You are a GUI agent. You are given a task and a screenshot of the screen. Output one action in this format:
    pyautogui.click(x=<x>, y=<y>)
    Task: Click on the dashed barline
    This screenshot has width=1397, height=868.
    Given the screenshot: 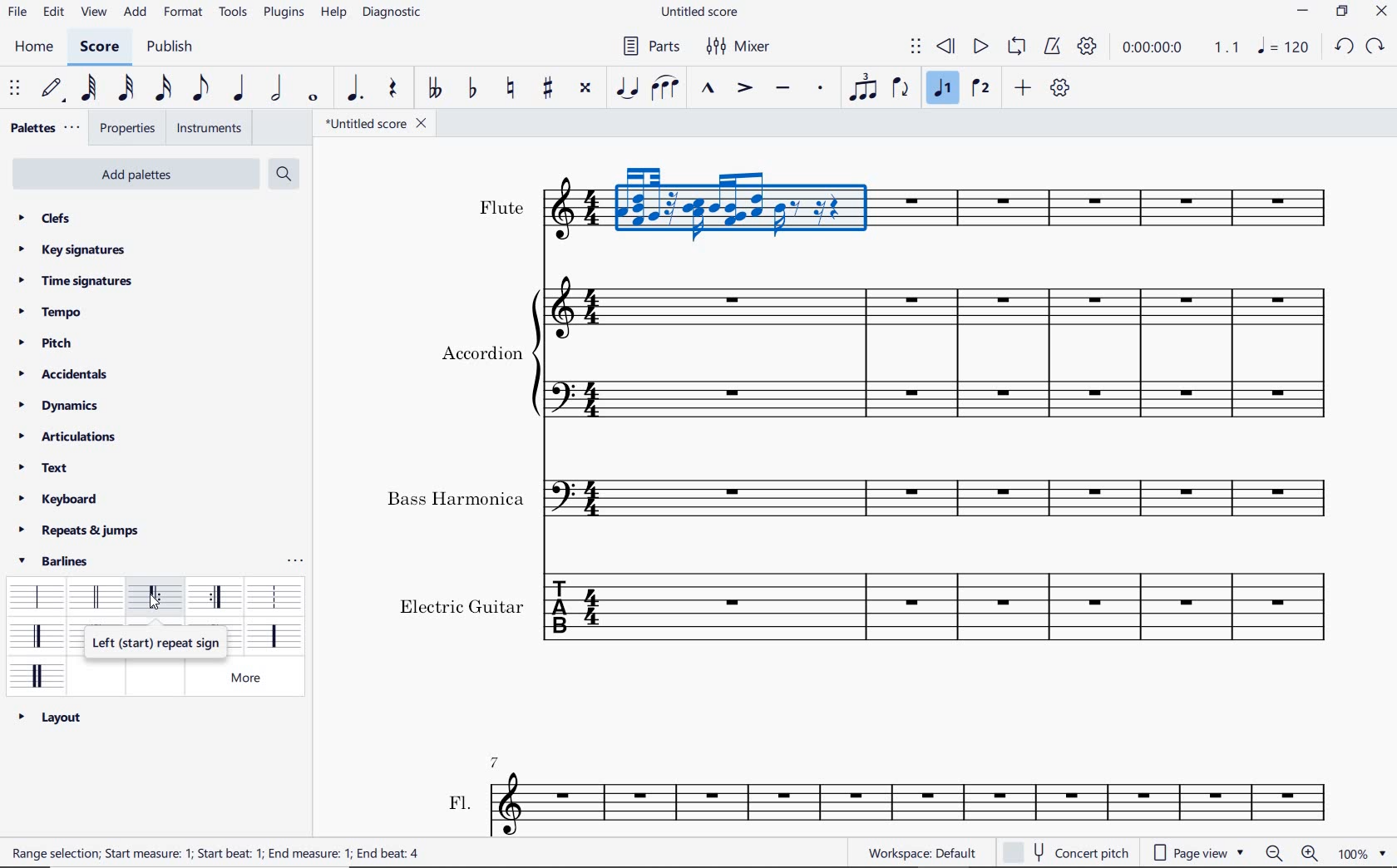 What is the action you would take?
    pyautogui.click(x=274, y=595)
    